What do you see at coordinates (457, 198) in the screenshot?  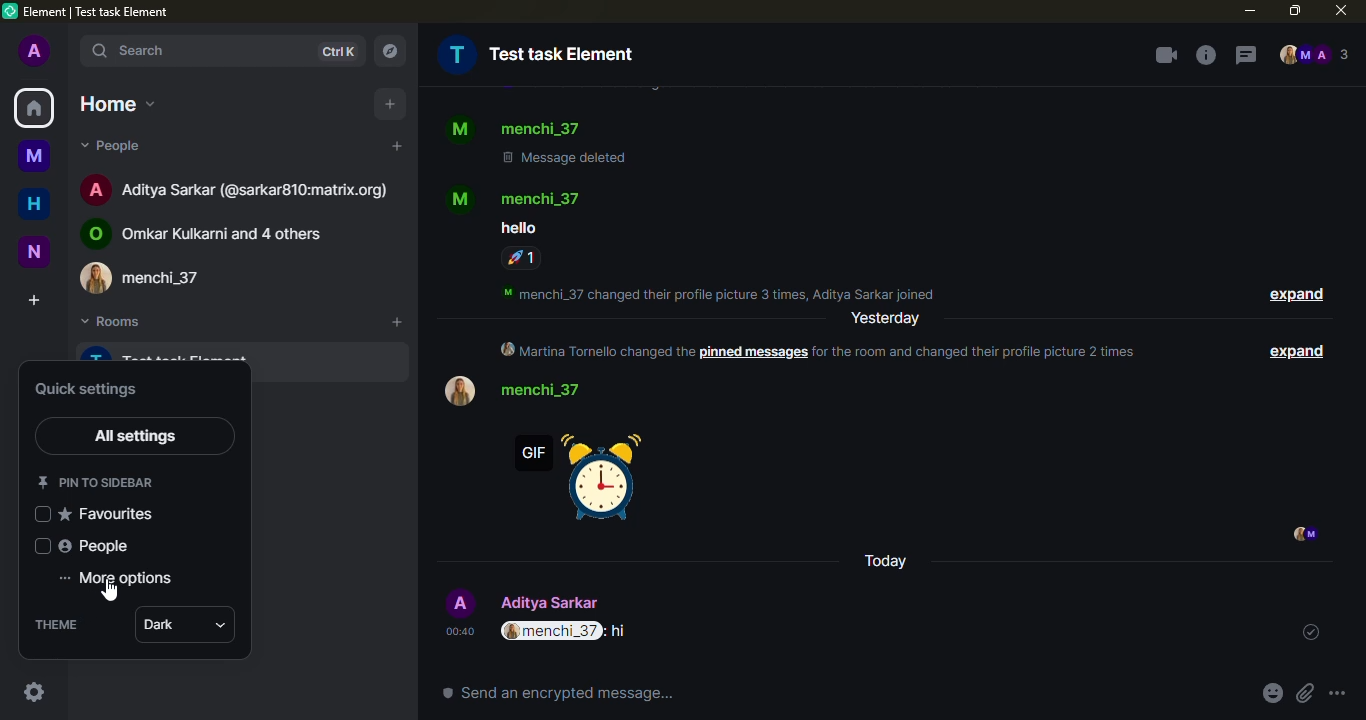 I see `profile` at bounding box center [457, 198].